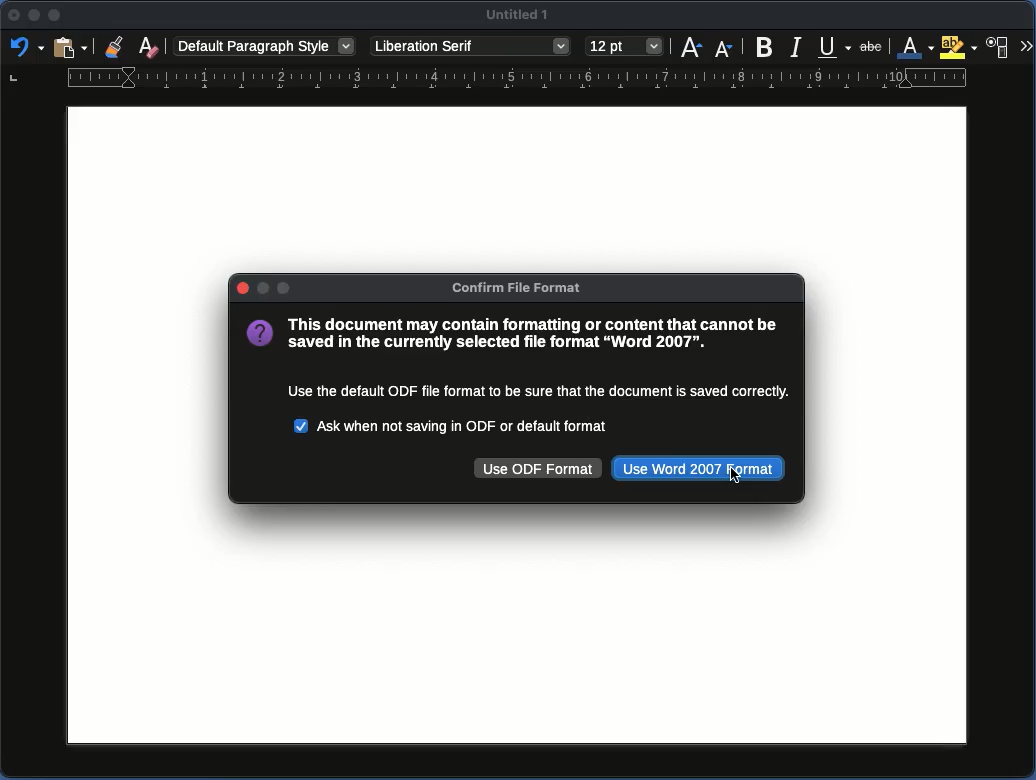 The image size is (1036, 780). What do you see at coordinates (999, 47) in the screenshot?
I see `Character` at bounding box center [999, 47].